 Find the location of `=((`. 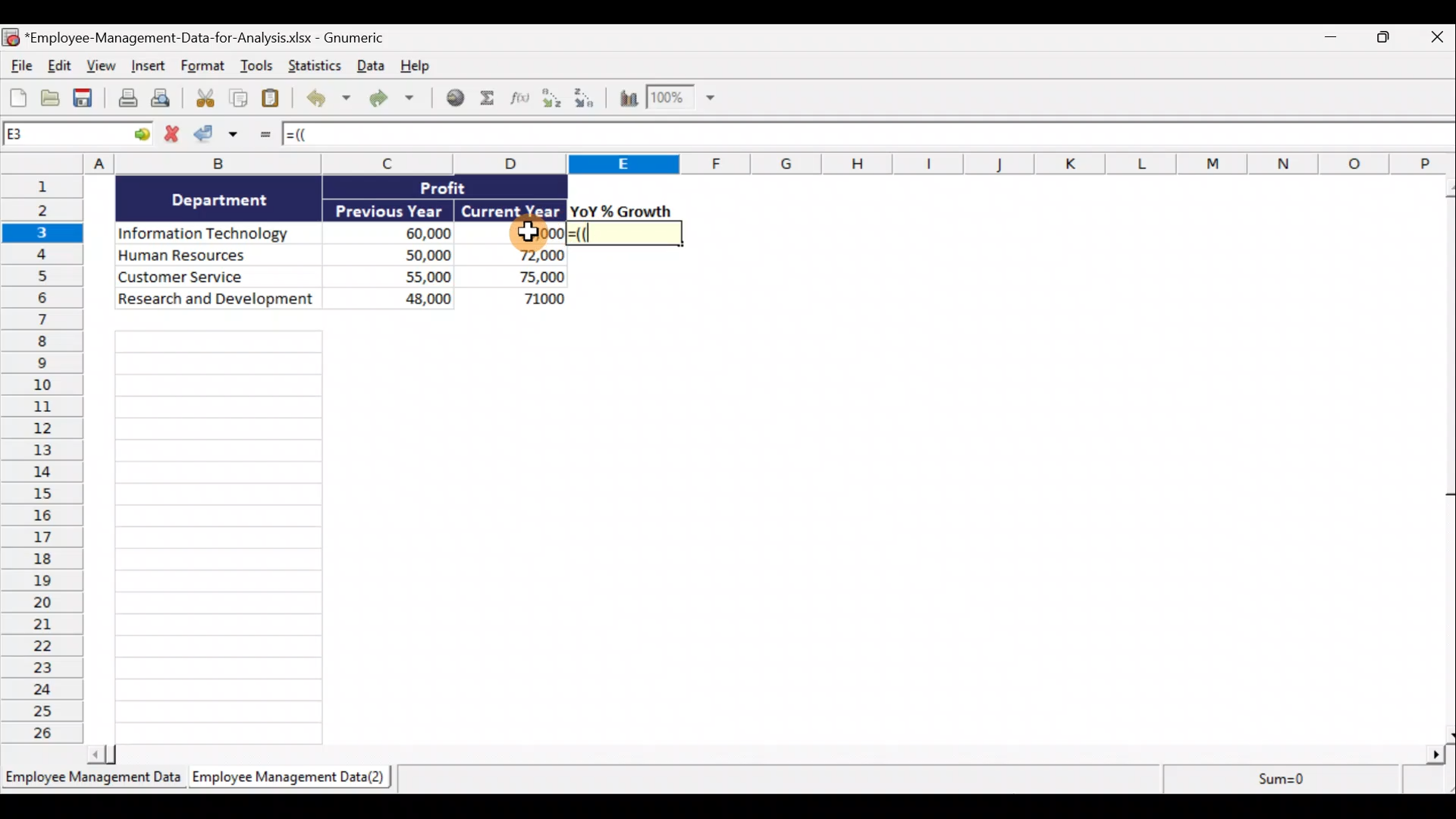

=(( is located at coordinates (626, 234).